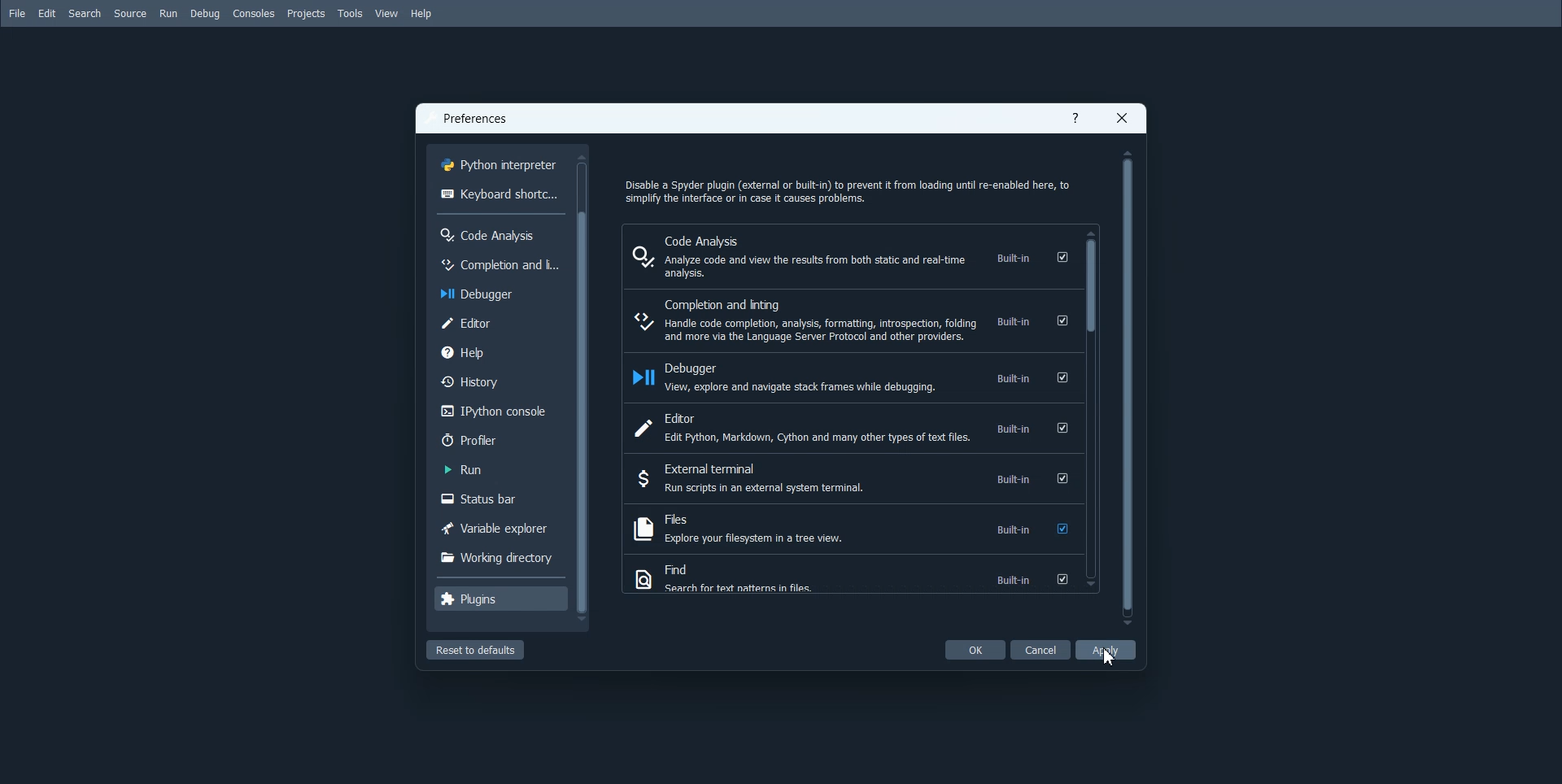 The height and width of the screenshot is (784, 1562). What do you see at coordinates (499, 351) in the screenshot?
I see `Help` at bounding box center [499, 351].